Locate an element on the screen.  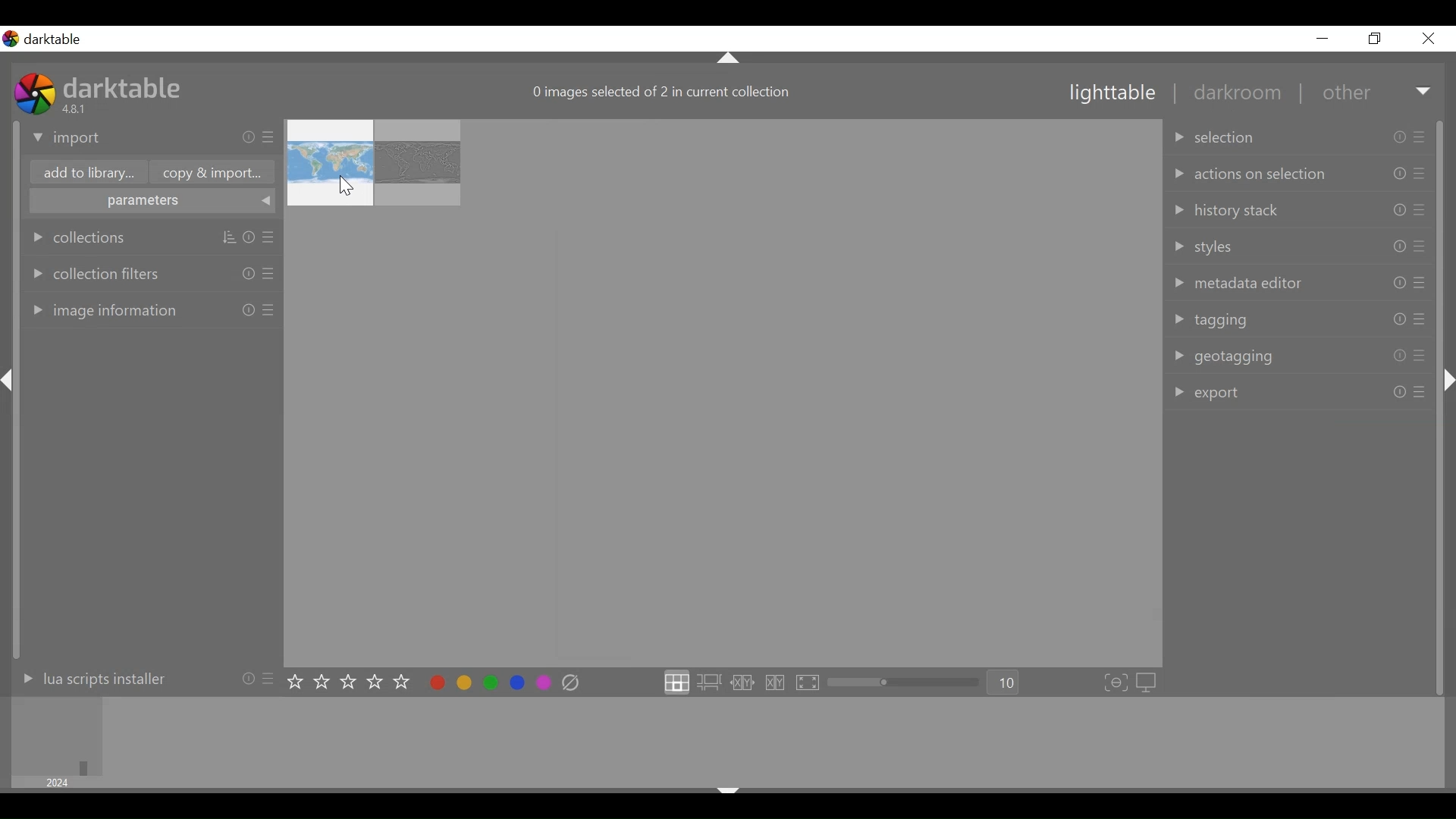
selection is located at coordinates (1301, 134).